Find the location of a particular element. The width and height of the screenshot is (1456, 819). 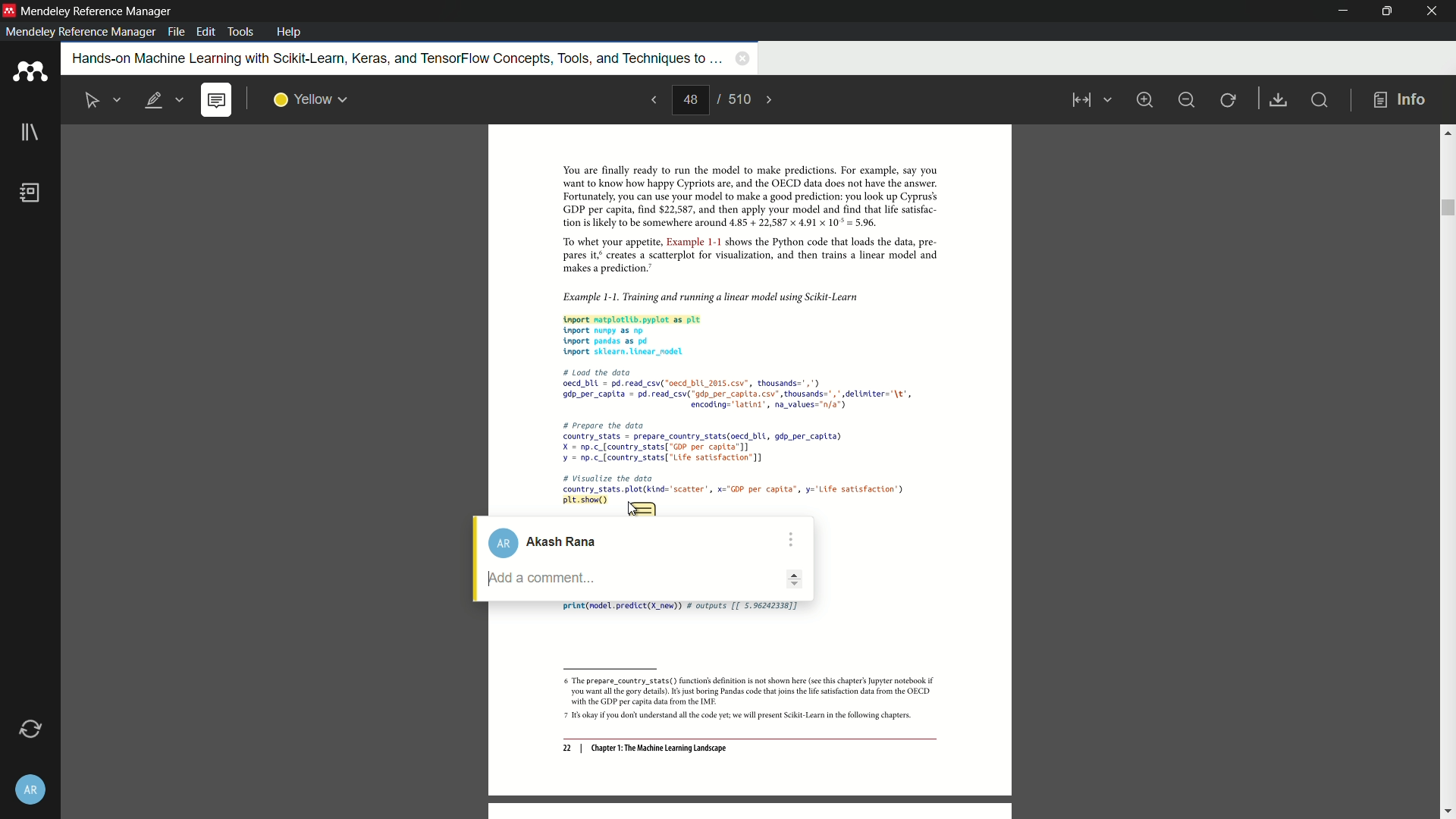

You are finally ready to run the model to make predictions. For example, say you
want to know how happy Cypriots are, and the OECD data does not have the answer.
Fortunately, you can use your model to make a good prediction: you look up Cyprus’
GDP per capita, find $22,587, and then apply your model and find that life satsfac-
tion is likely to be somewhere around 4.85 + 22,587 x 4.91 x 10° = 5.96.

“To whet your appetite, Example 1-1 shows the Python code that loads the data, pre
pares it creates a scatterplot for visualization, and then trains a linear model and
‘makes a prediction.” is located at coordinates (741, 220).